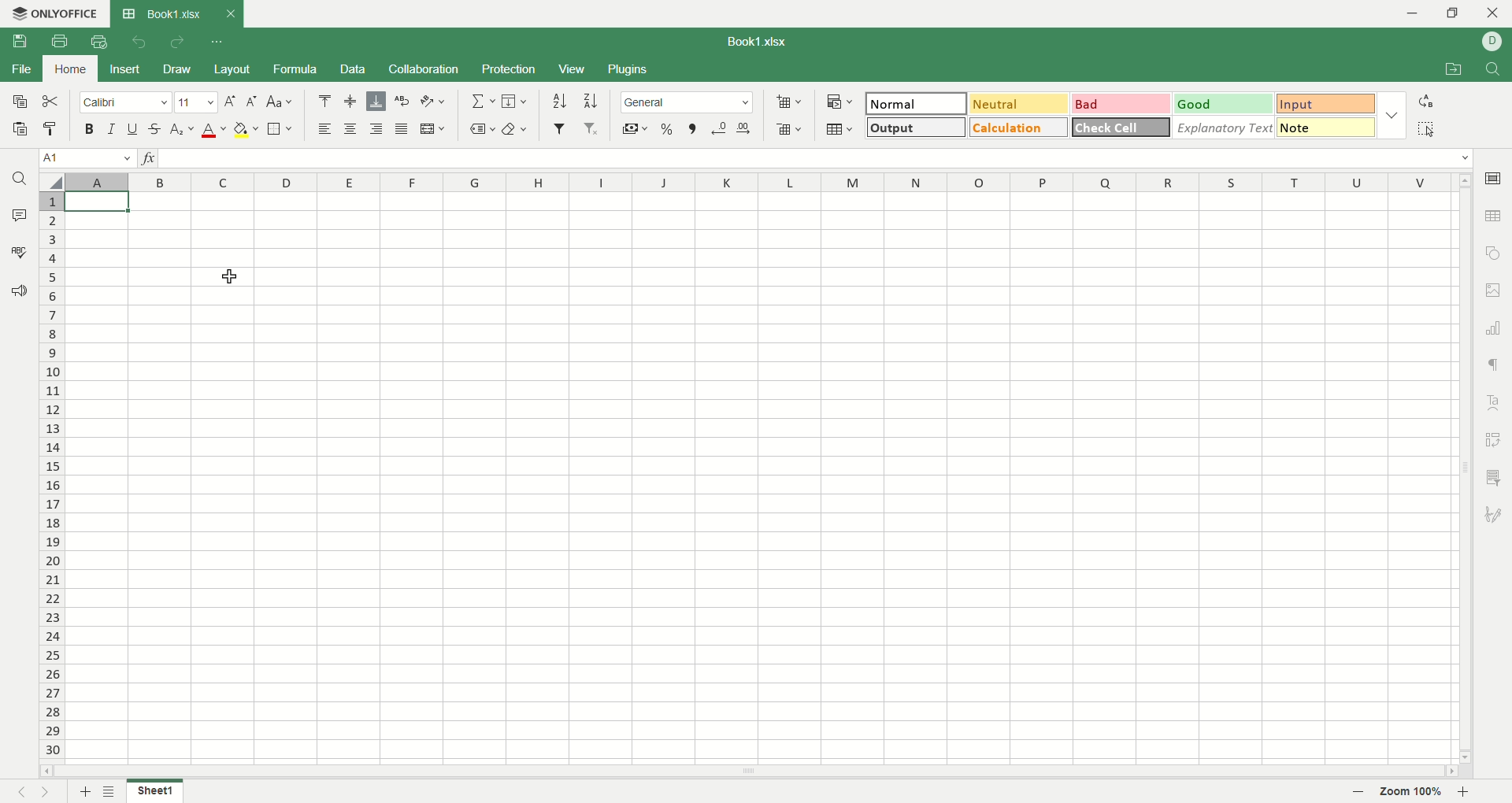  Describe the element at coordinates (136, 41) in the screenshot. I see `undo` at that location.